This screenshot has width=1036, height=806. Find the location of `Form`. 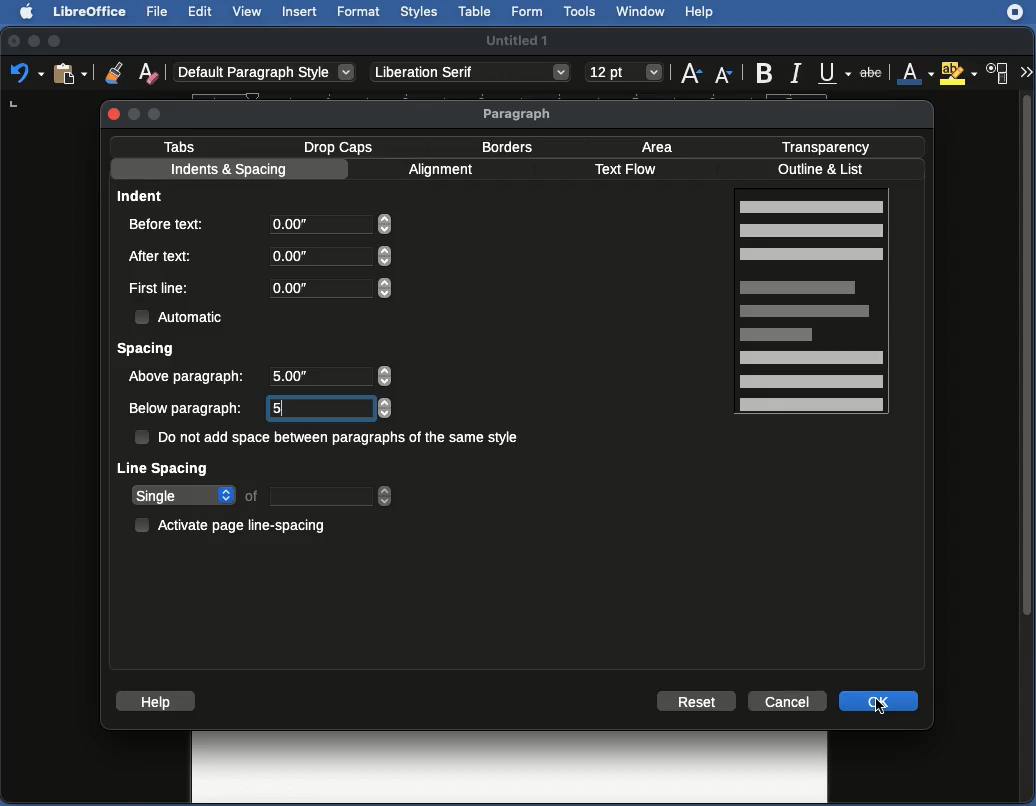

Form is located at coordinates (529, 13).